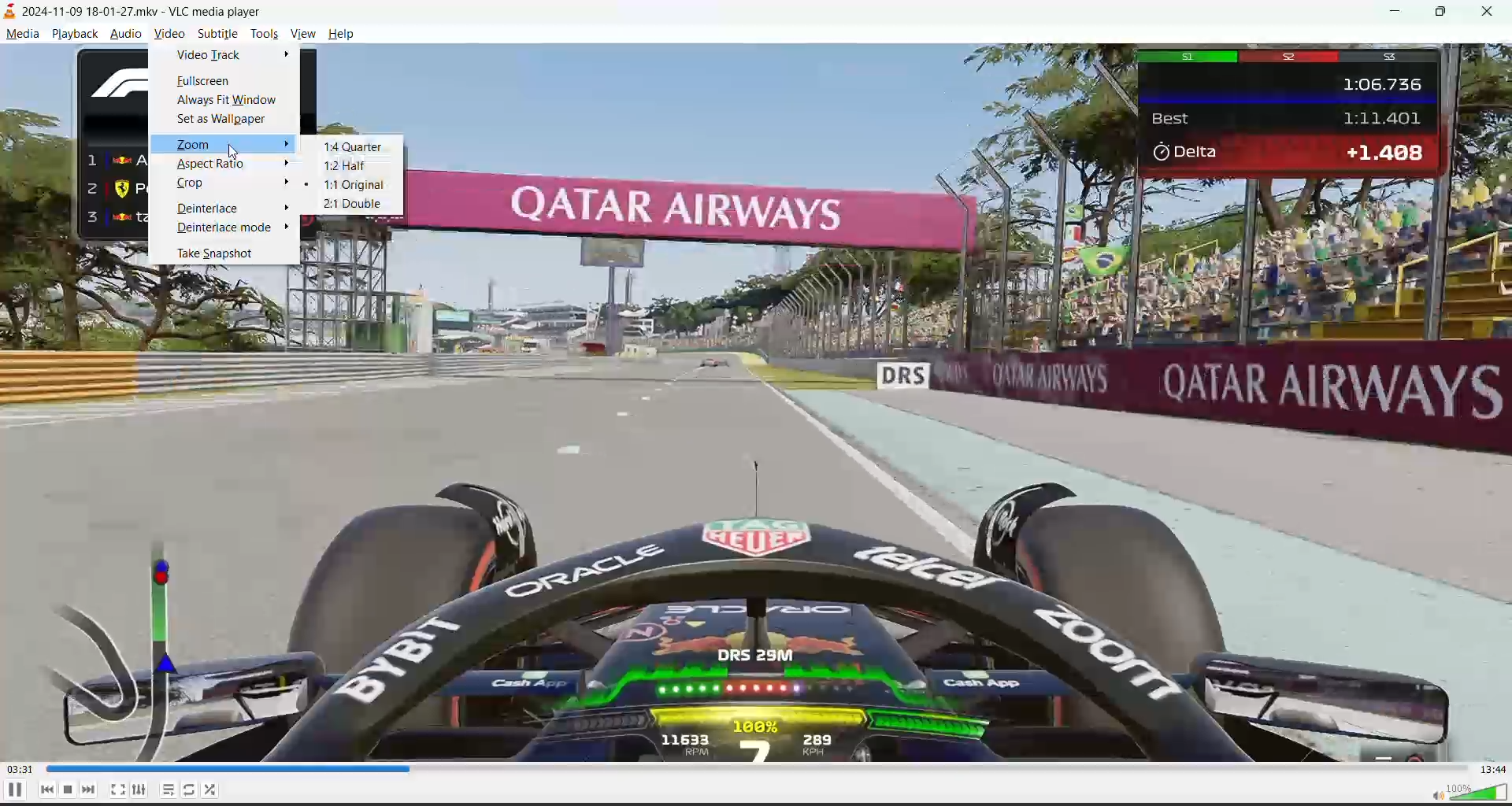 The image size is (1512, 806). I want to click on help, so click(343, 35).